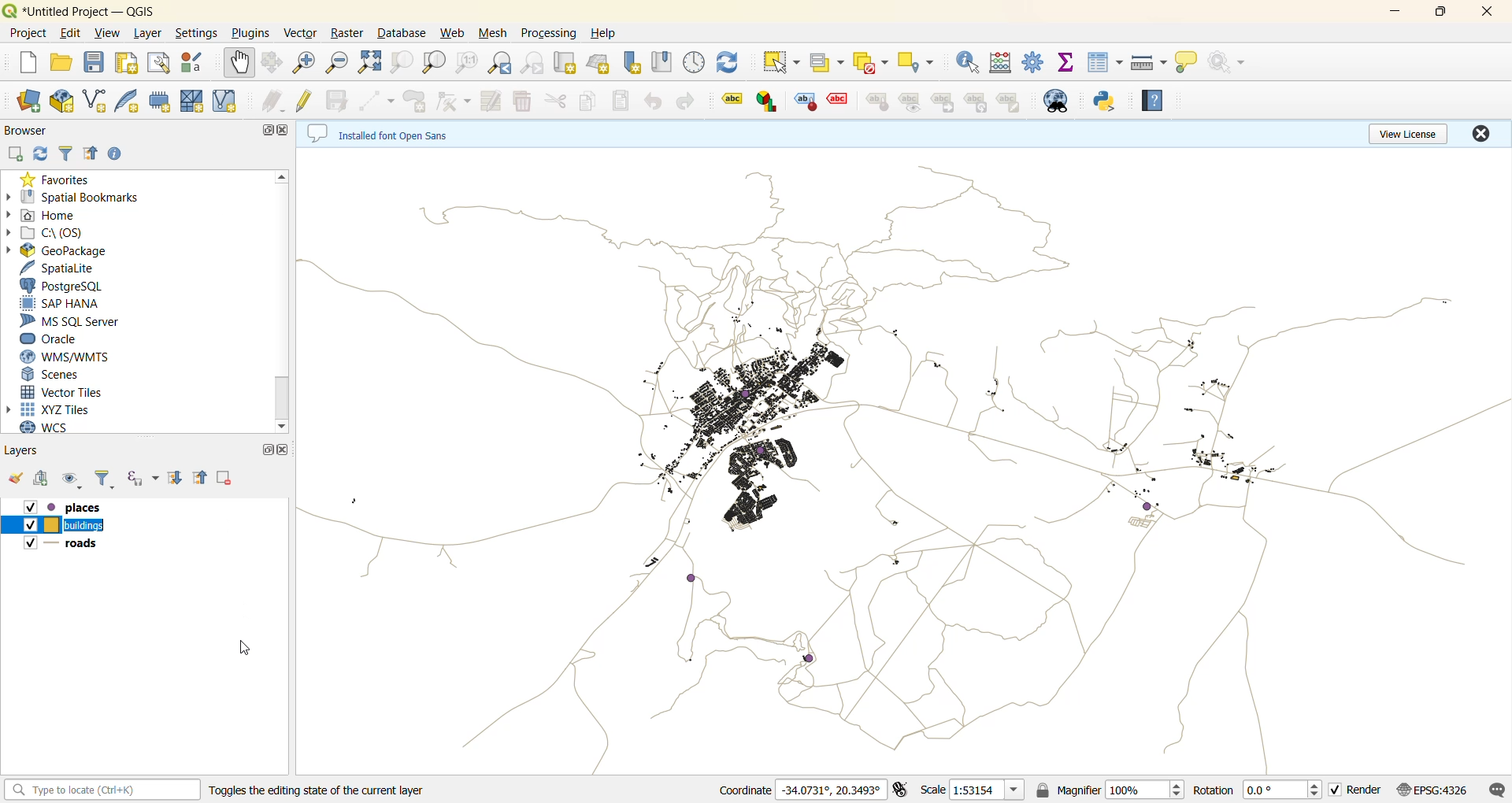  Describe the element at coordinates (142, 479) in the screenshot. I see `filter by expression` at that location.